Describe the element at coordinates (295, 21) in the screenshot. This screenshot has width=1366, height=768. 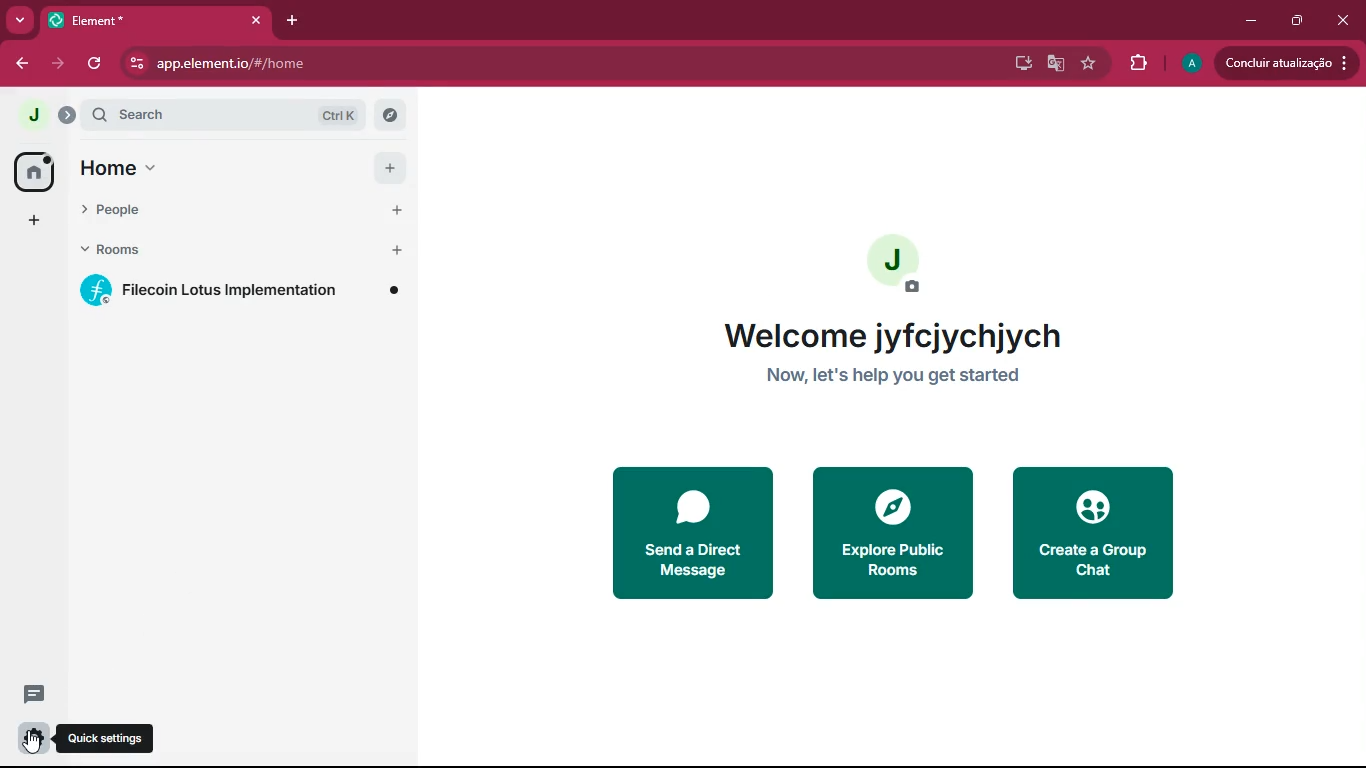
I see `add tab` at that location.